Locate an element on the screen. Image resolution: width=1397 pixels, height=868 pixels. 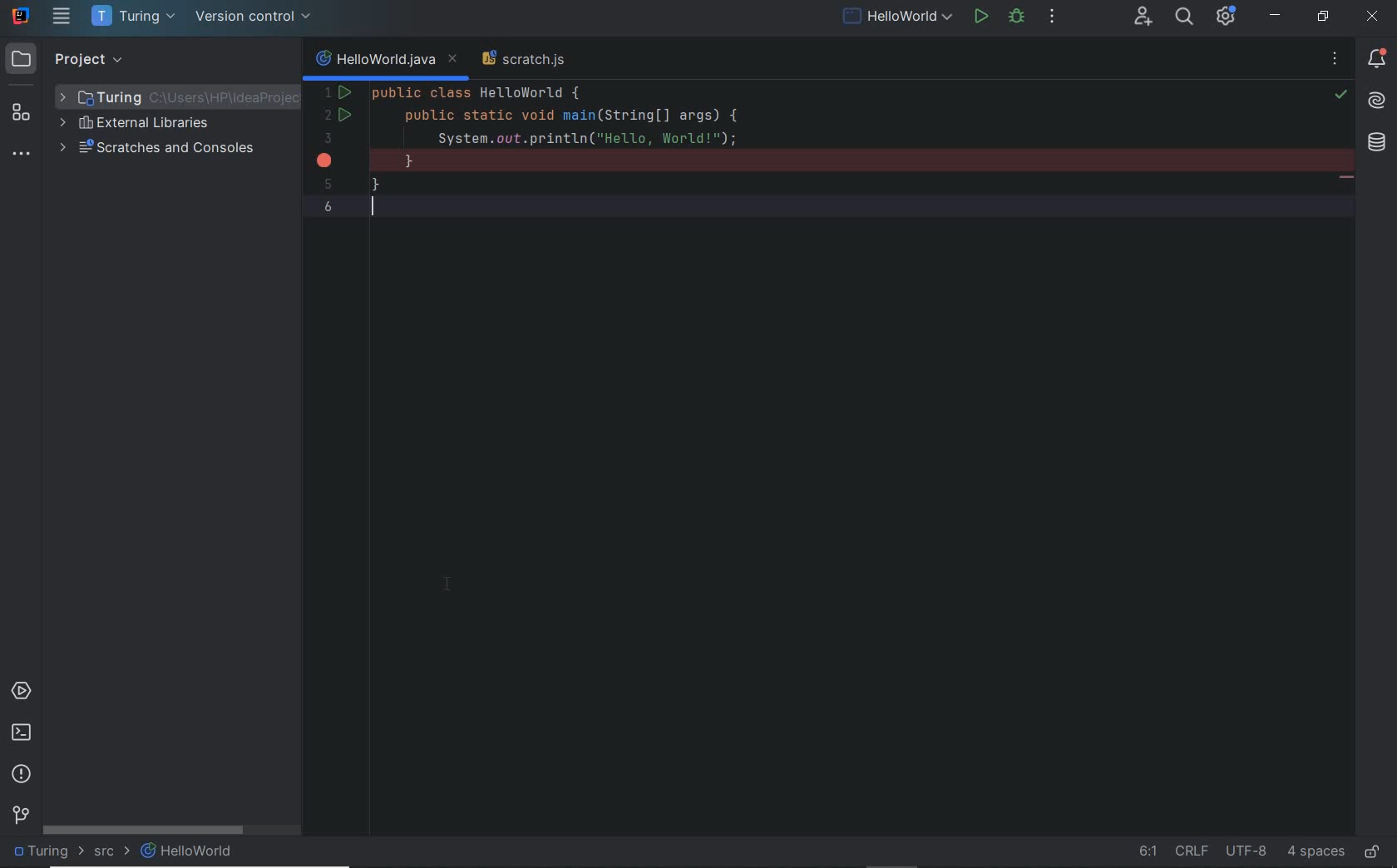
more tool windows is located at coordinates (22, 154).